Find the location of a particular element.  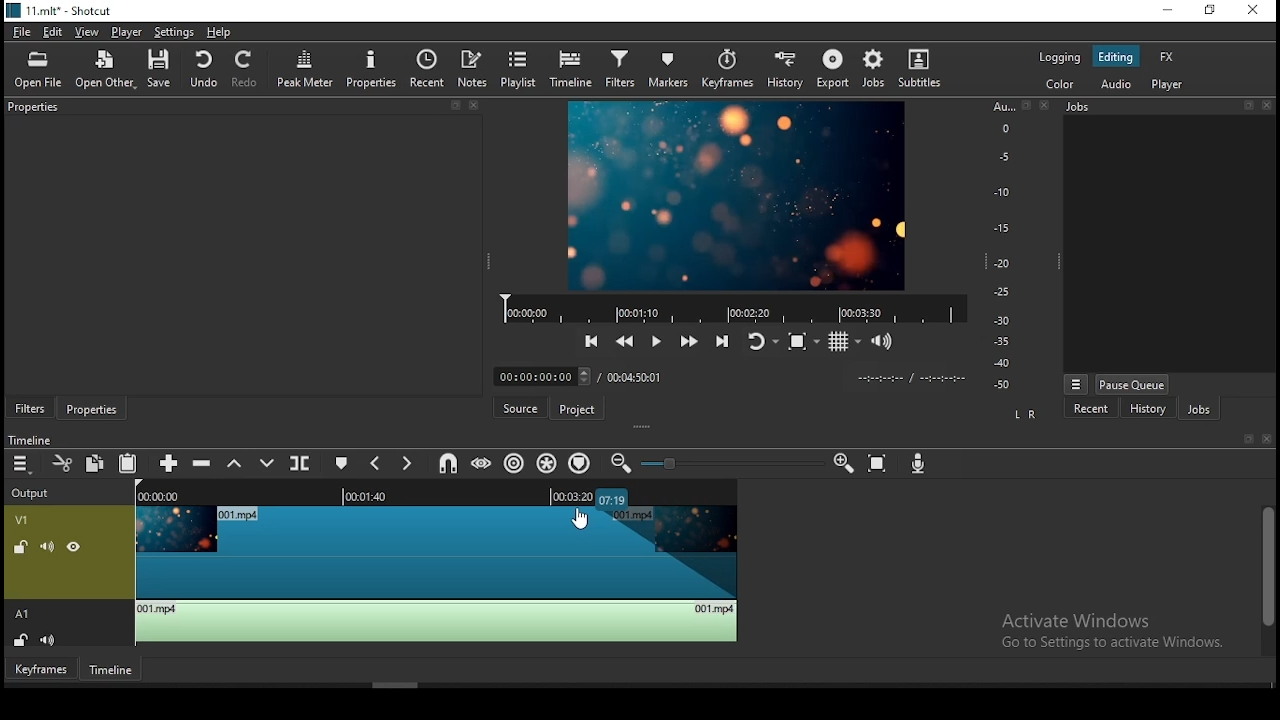

play quickly forwards is located at coordinates (689, 342).